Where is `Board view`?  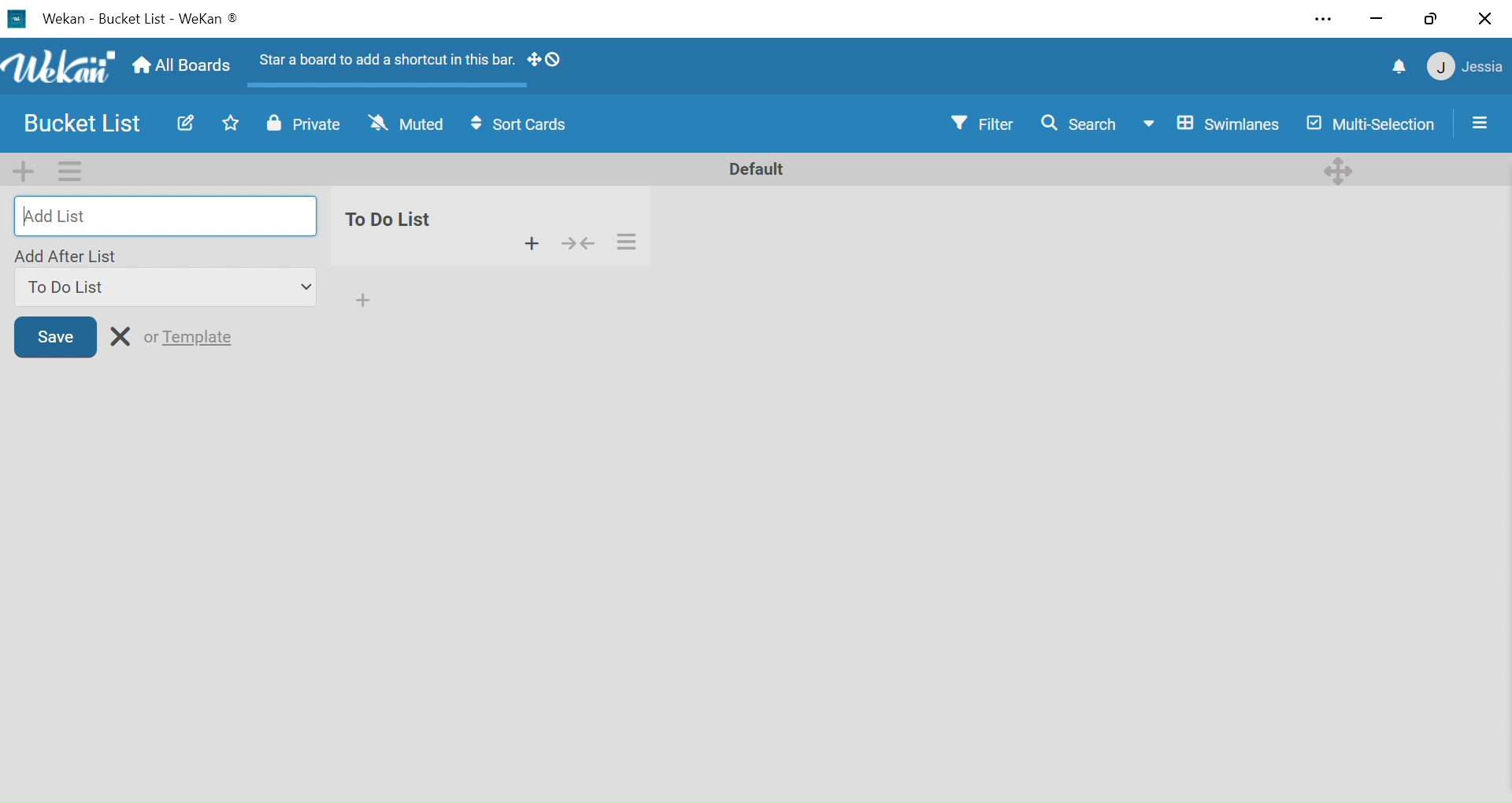 Board view is located at coordinates (1211, 124).